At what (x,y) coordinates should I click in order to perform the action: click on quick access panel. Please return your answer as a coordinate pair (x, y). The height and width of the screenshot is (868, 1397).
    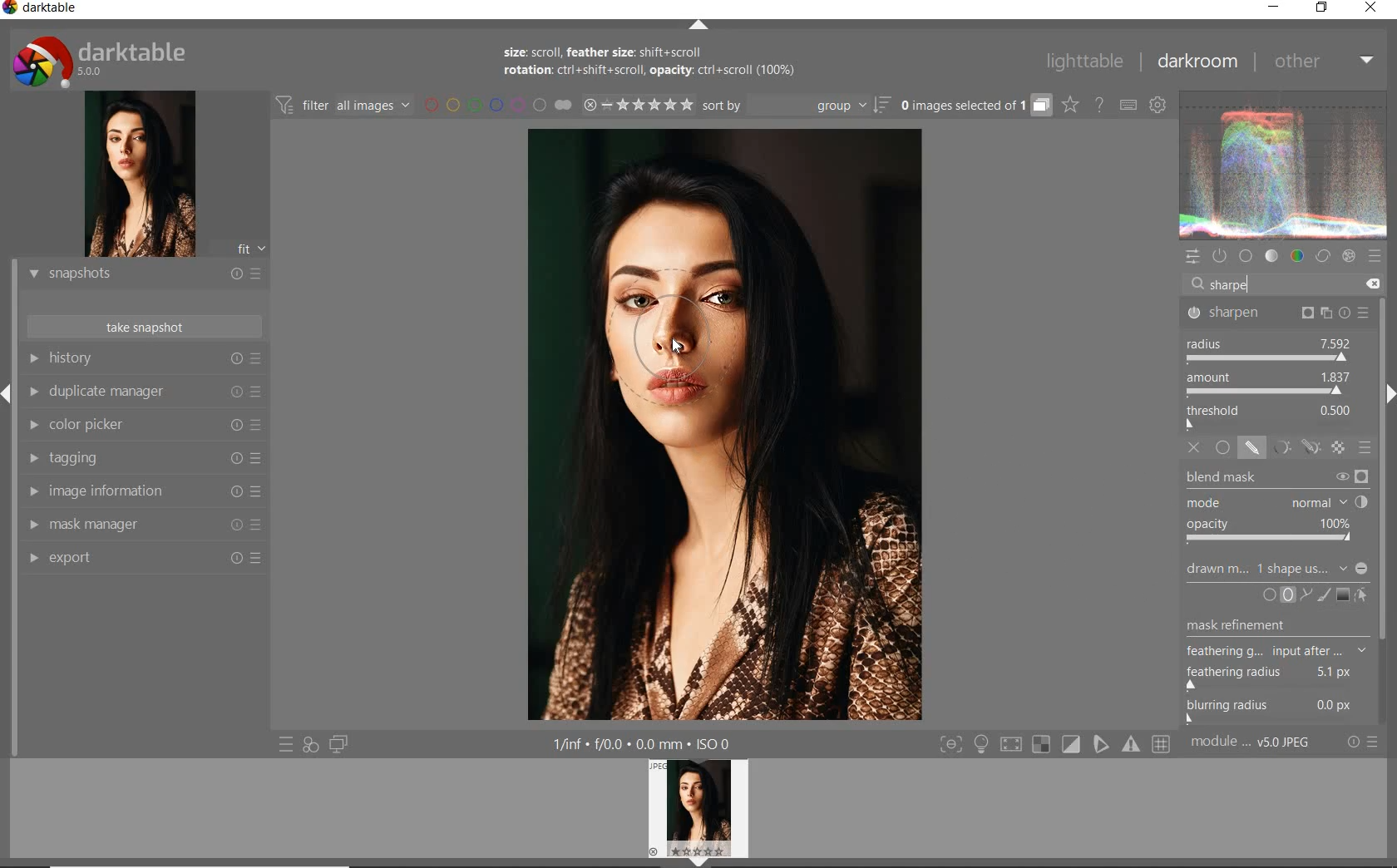
    Looking at the image, I should click on (1191, 257).